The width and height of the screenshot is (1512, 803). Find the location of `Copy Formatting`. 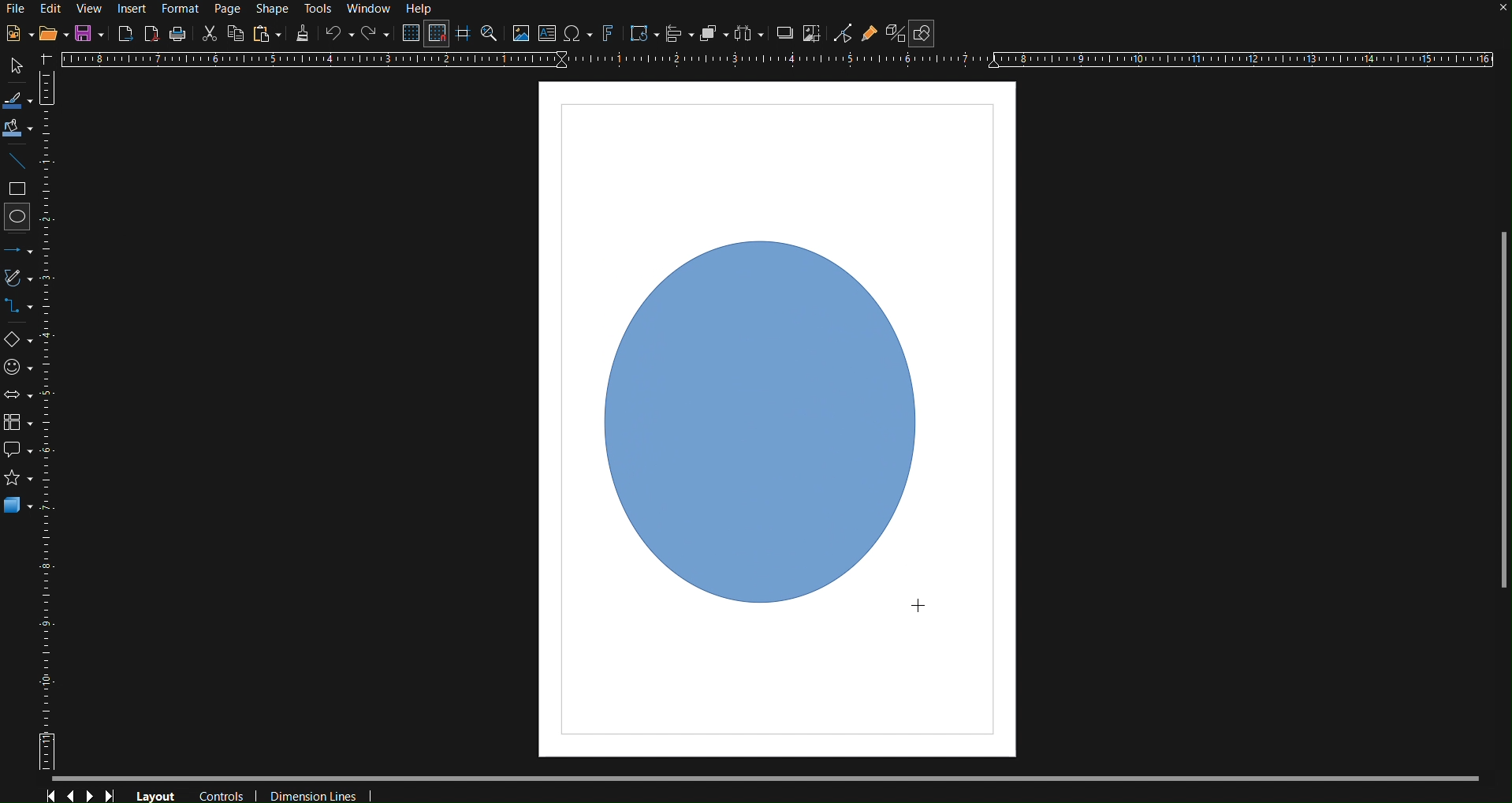

Copy Formatting is located at coordinates (303, 34).